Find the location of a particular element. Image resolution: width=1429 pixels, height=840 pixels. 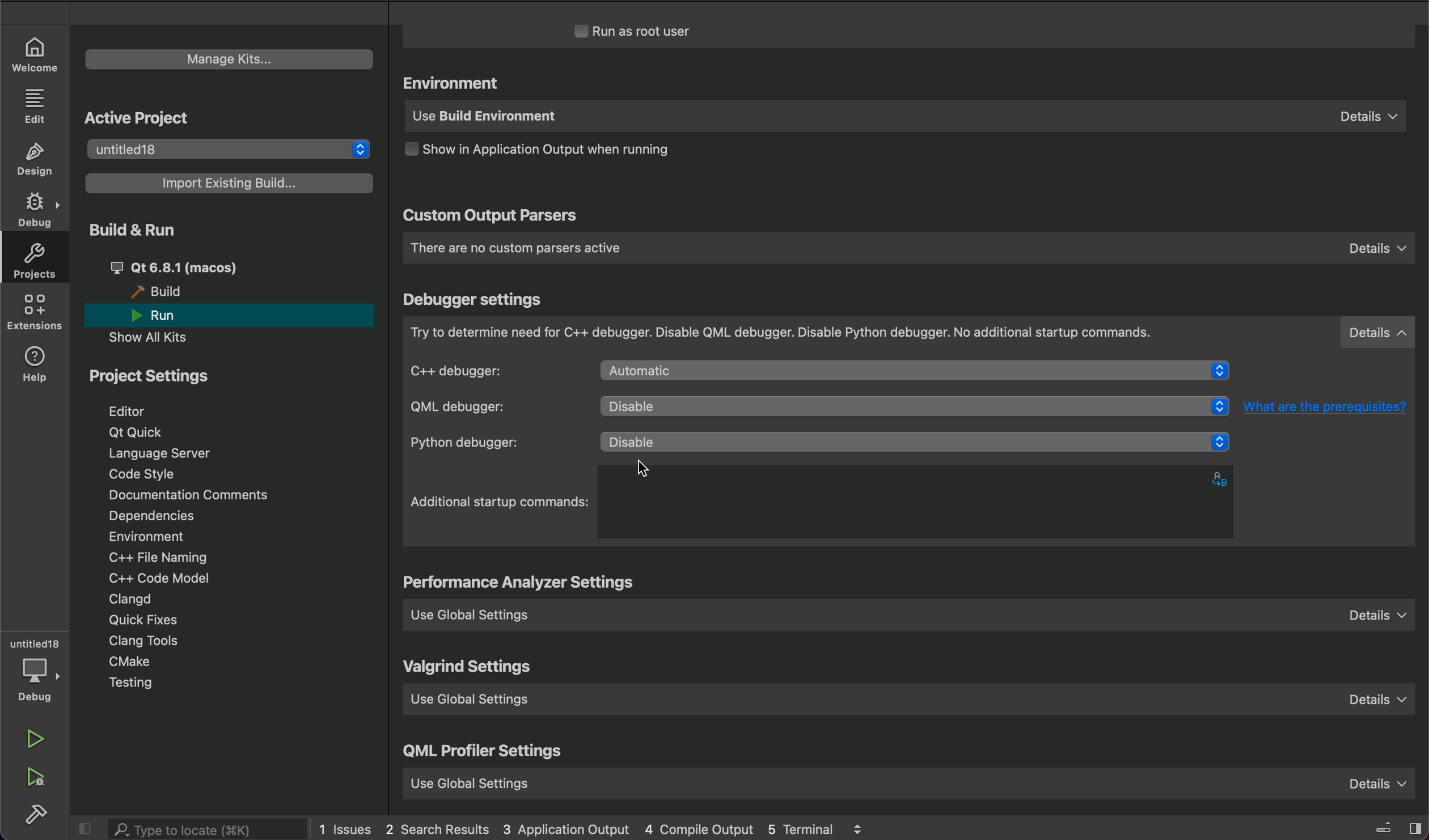

custom is located at coordinates (490, 217).